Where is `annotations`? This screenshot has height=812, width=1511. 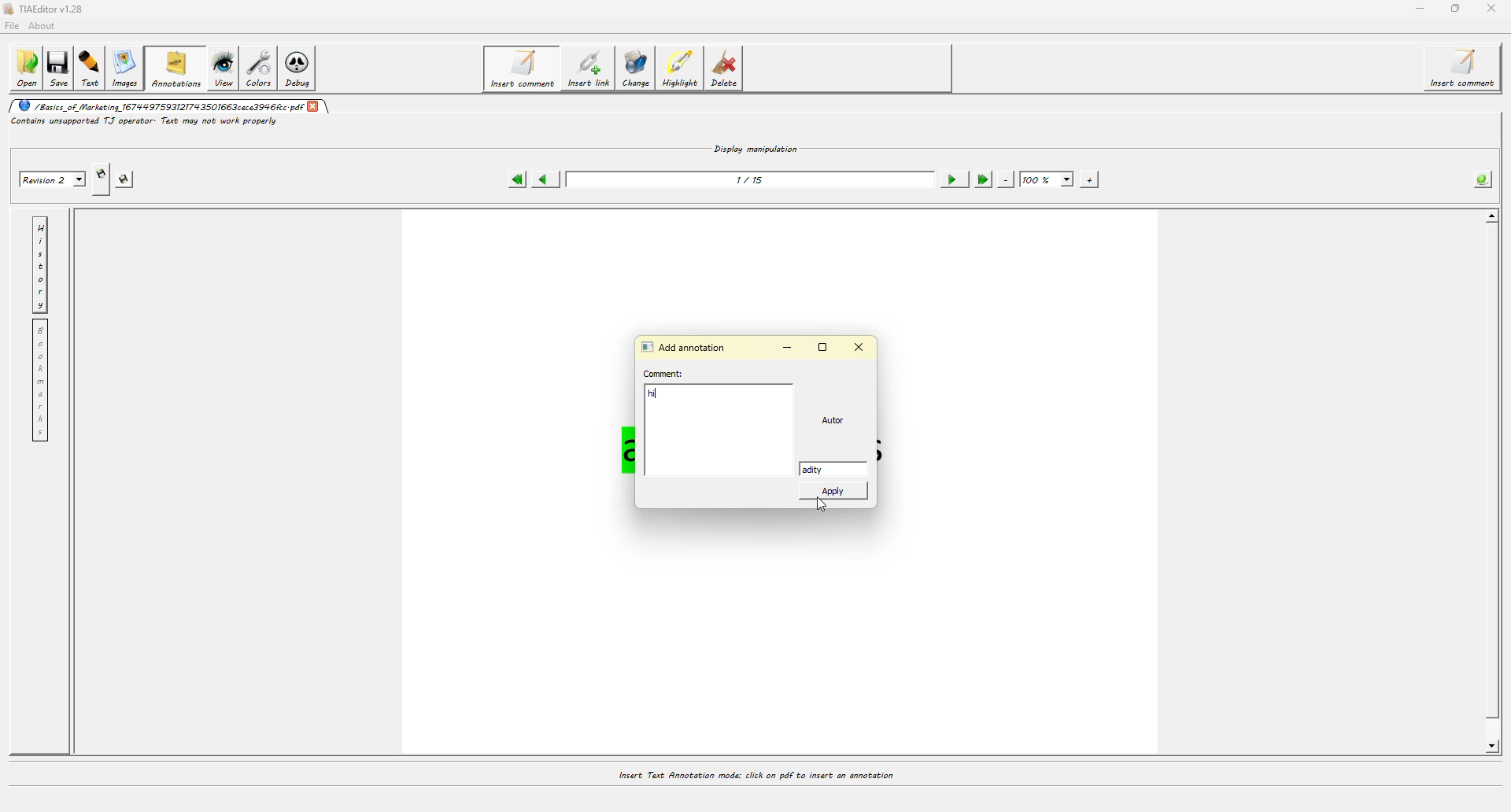 annotations is located at coordinates (176, 68).